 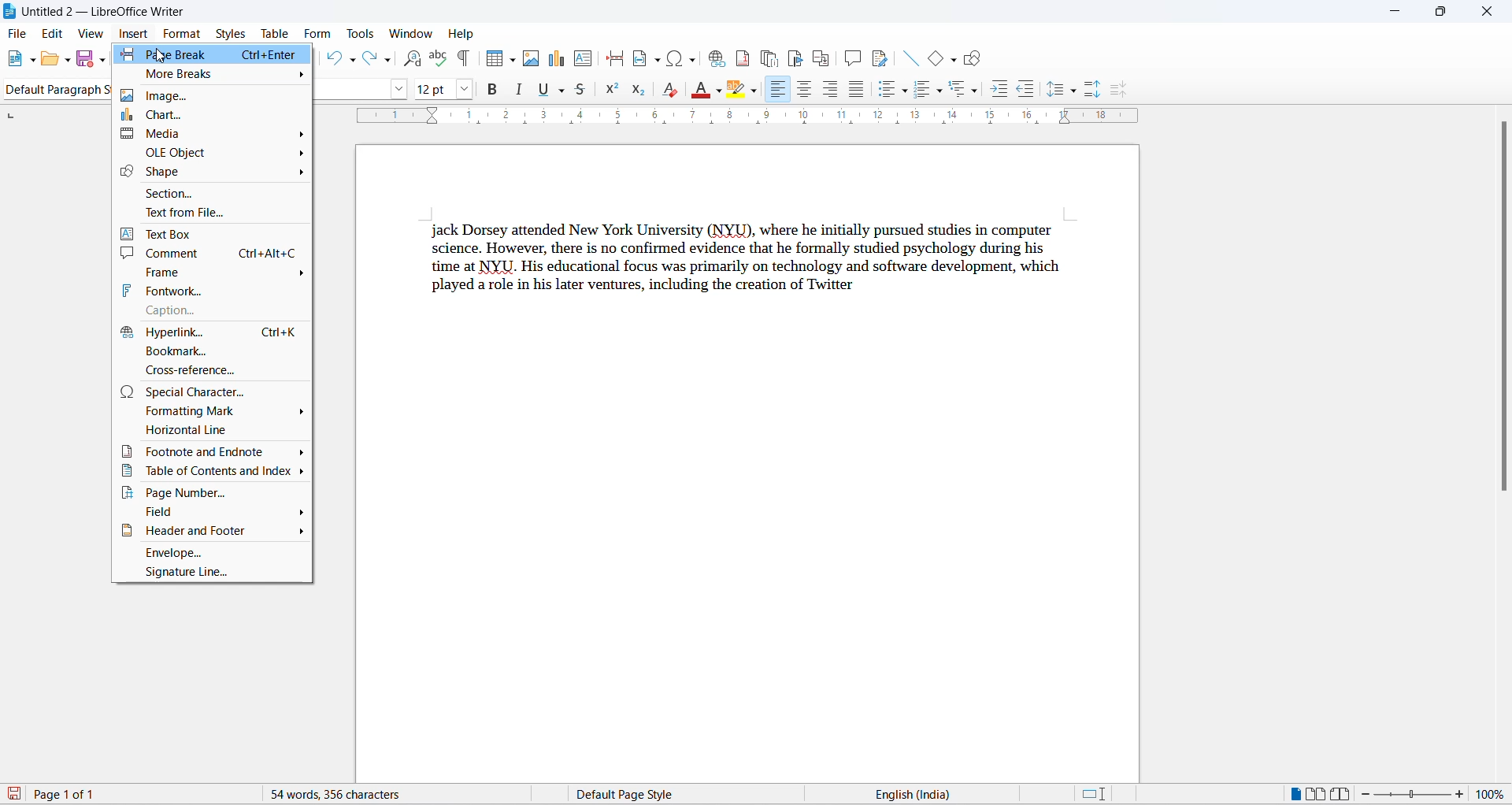 What do you see at coordinates (561, 89) in the screenshot?
I see `underline options` at bounding box center [561, 89].